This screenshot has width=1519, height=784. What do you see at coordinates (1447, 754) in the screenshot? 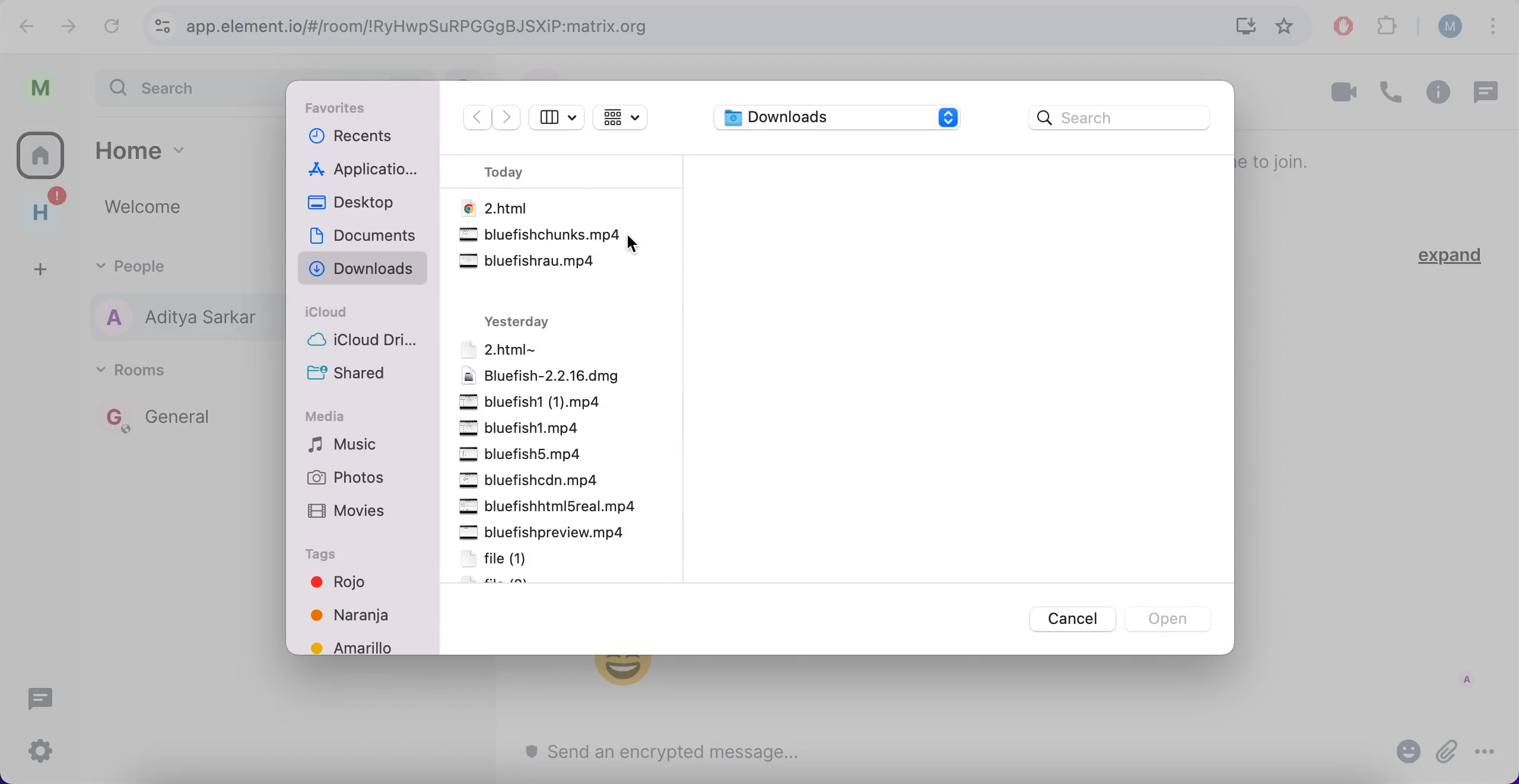
I see `attach` at bounding box center [1447, 754].